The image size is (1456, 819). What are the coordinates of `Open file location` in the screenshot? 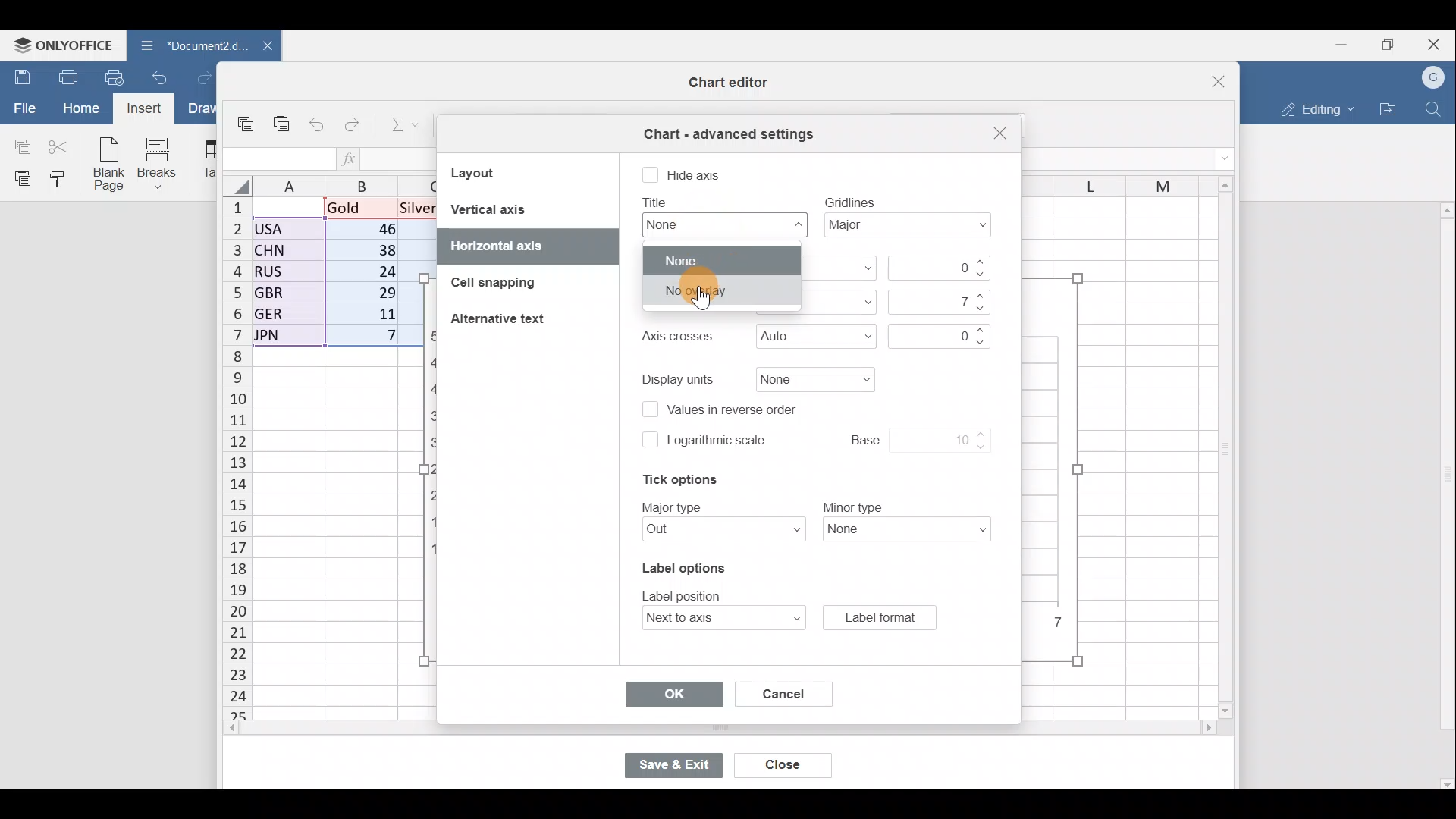 It's located at (1389, 109).